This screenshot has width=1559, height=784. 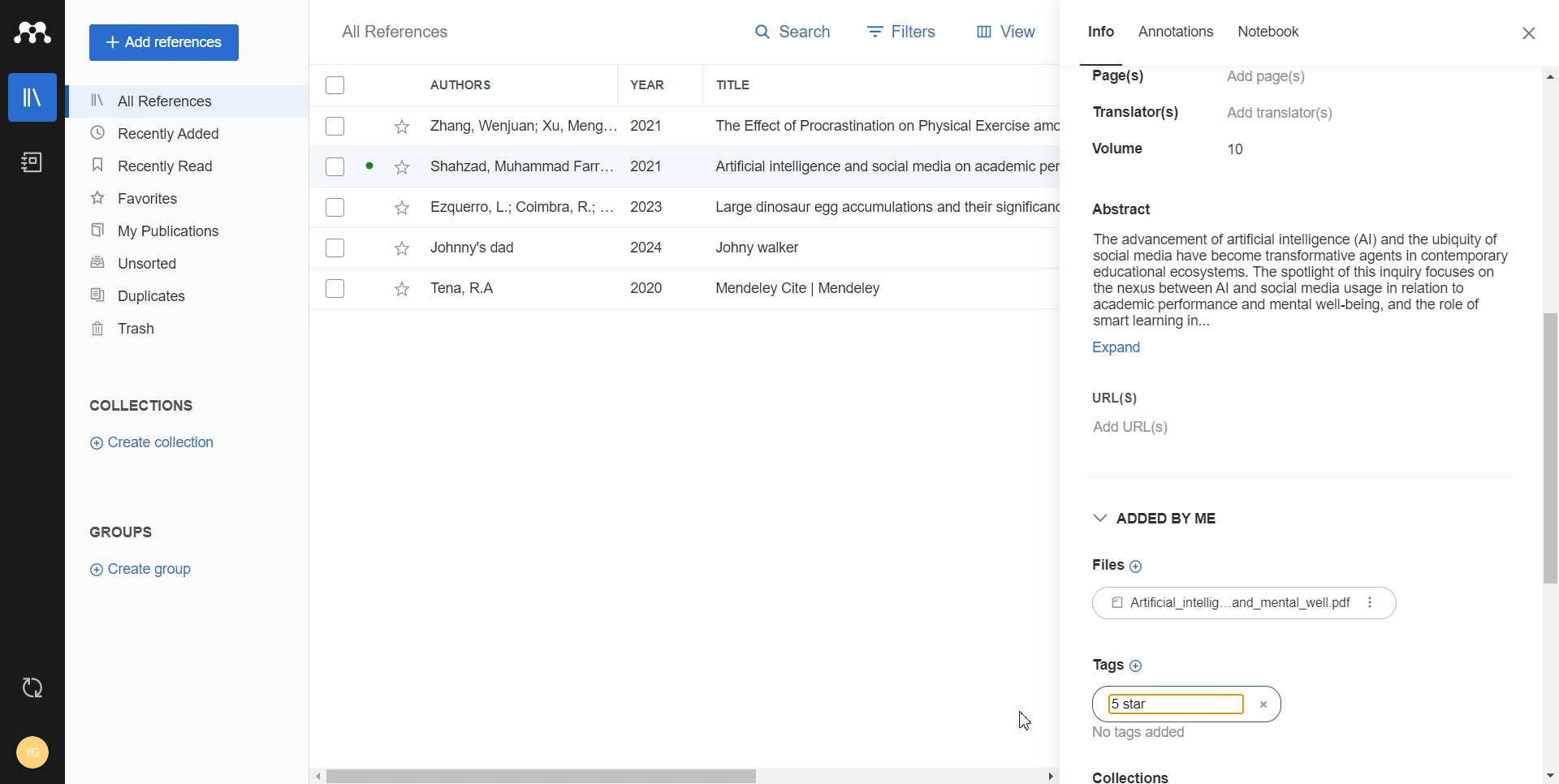 What do you see at coordinates (184, 261) in the screenshot?
I see `Unsorted` at bounding box center [184, 261].